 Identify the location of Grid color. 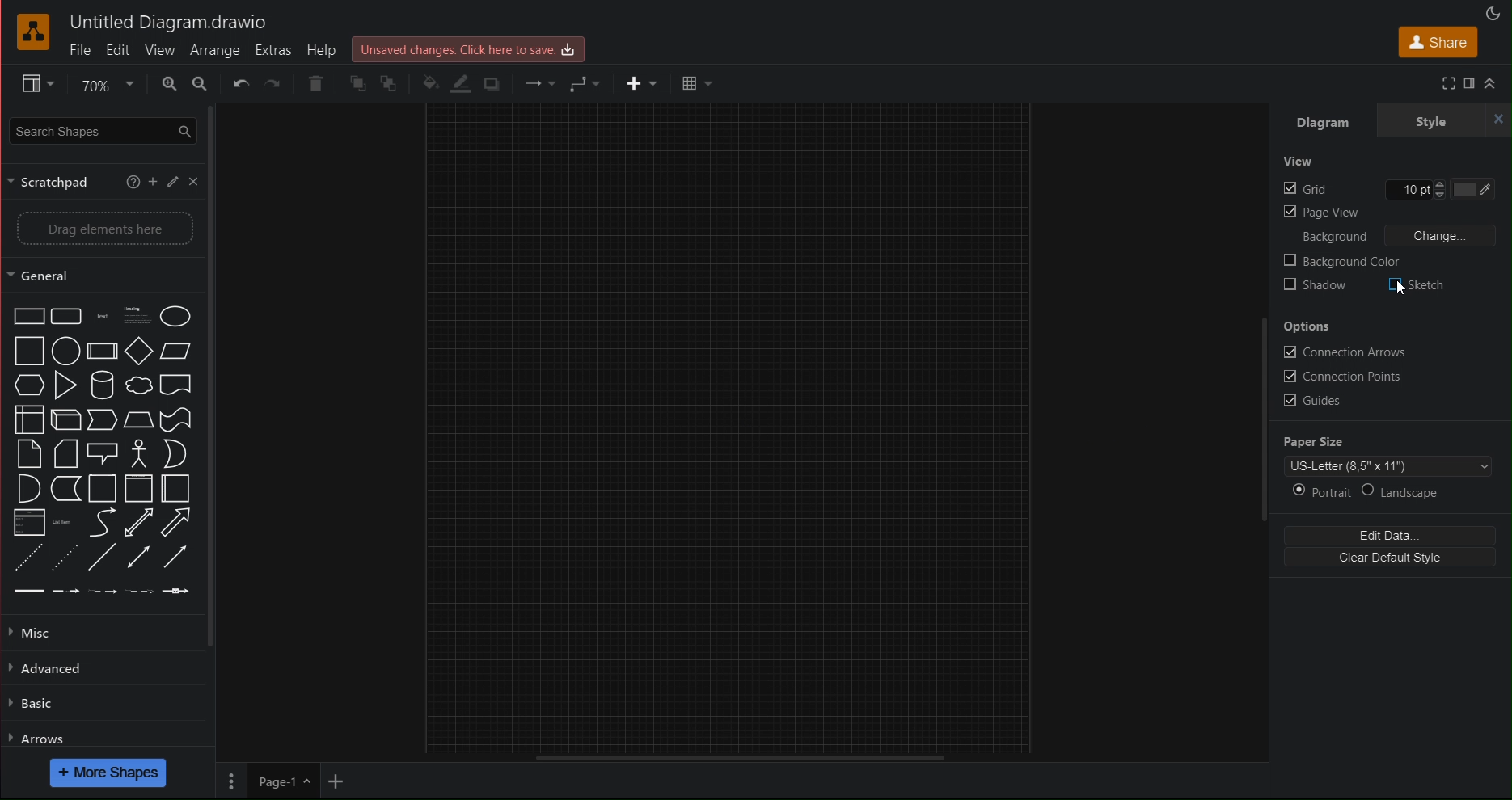
(1478, 188).